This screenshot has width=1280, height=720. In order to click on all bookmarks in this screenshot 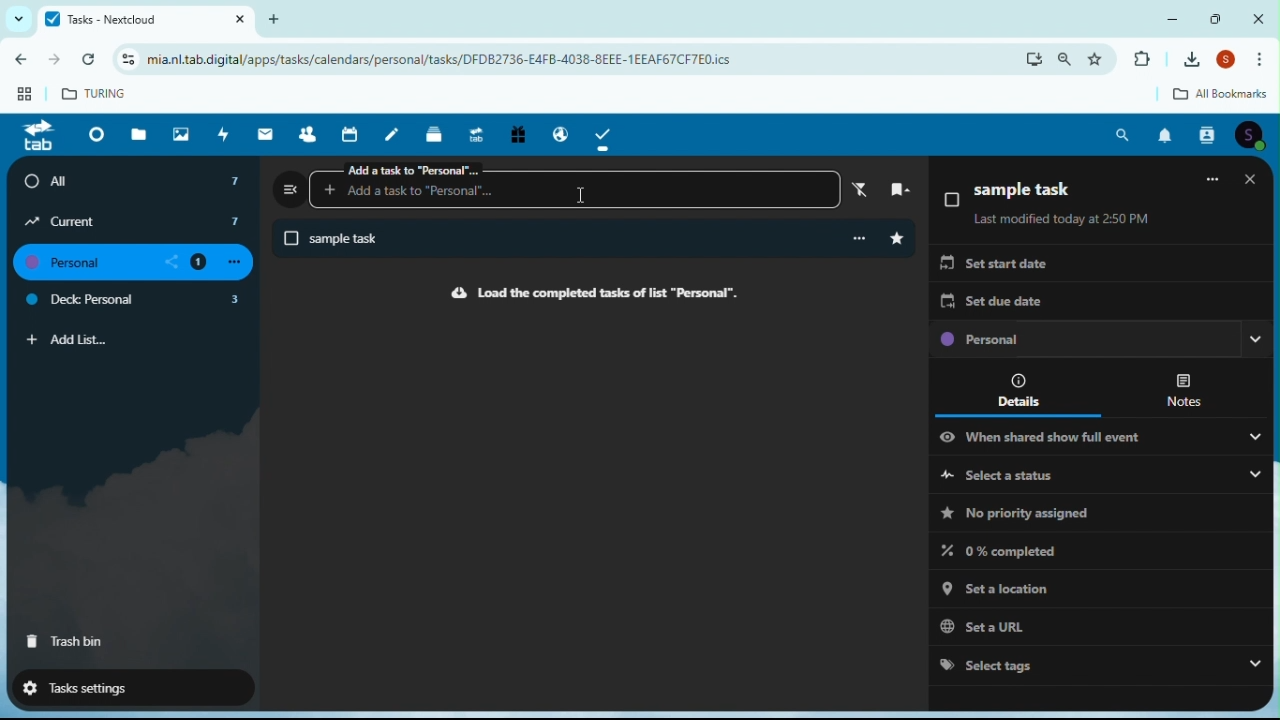, I will do `click(1205, 95)`.